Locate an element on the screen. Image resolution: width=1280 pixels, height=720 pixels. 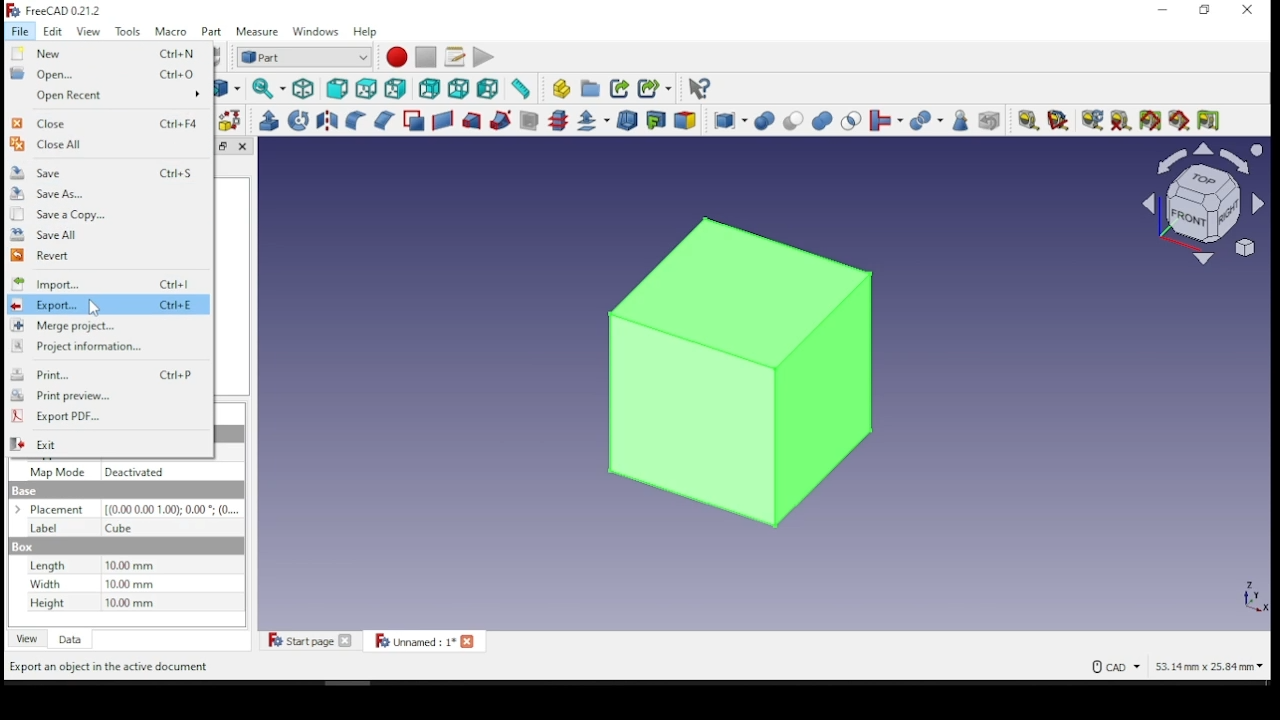
front is located at coordinates (337, 91).